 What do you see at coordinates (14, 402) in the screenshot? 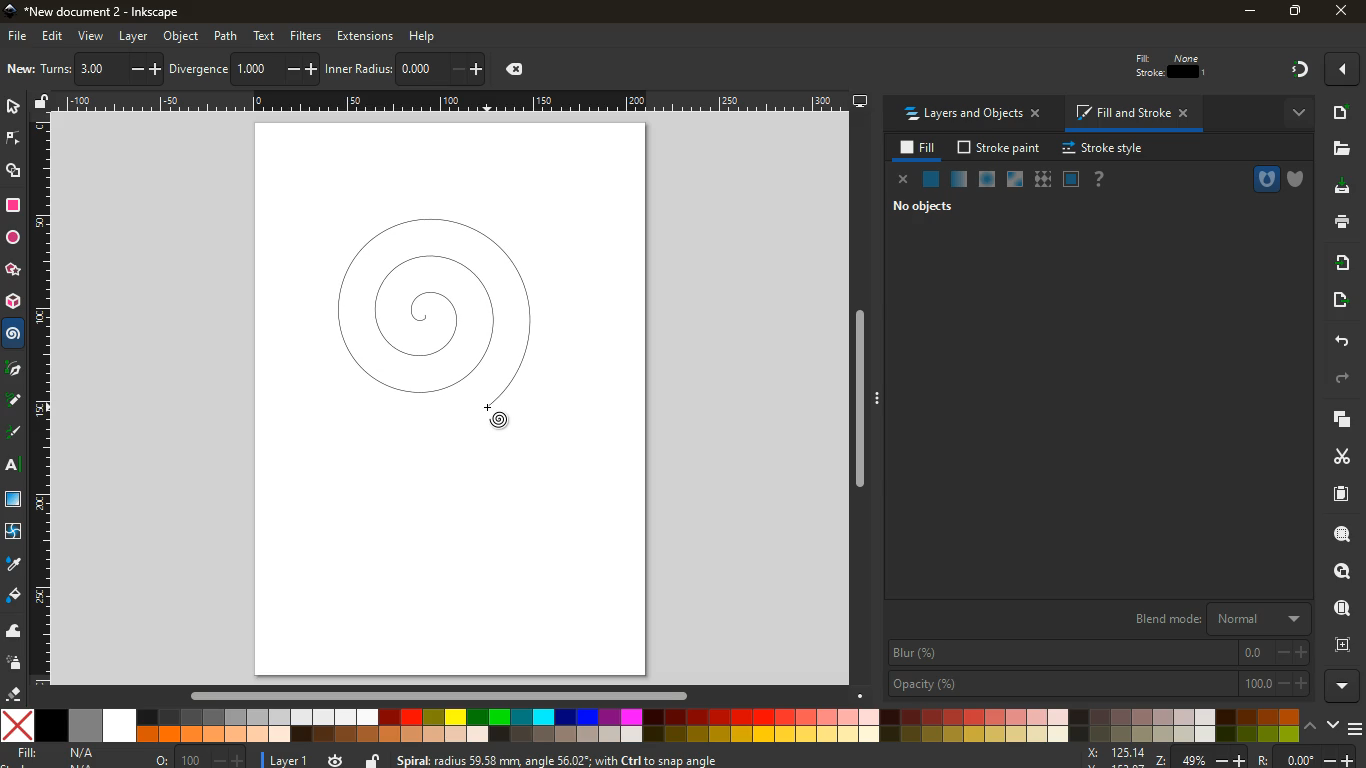
I see `` at bounding box center [14, 402].